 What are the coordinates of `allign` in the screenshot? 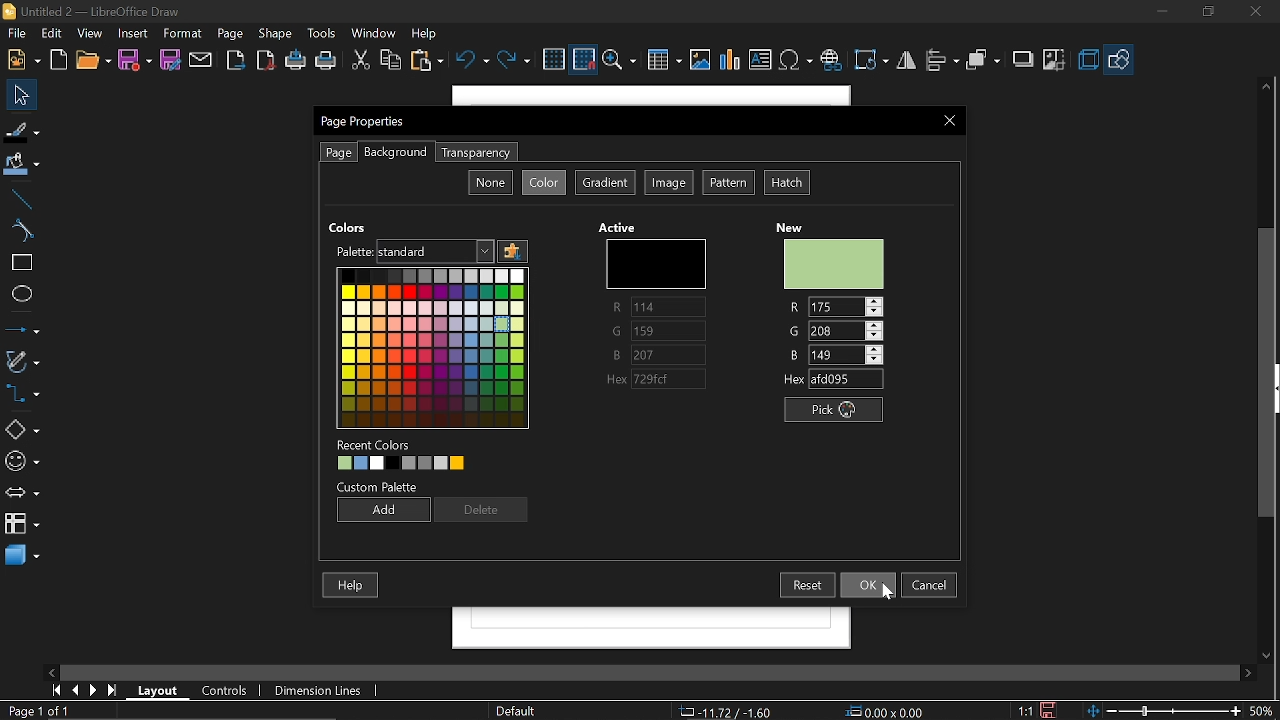 It's located at (942, 62).